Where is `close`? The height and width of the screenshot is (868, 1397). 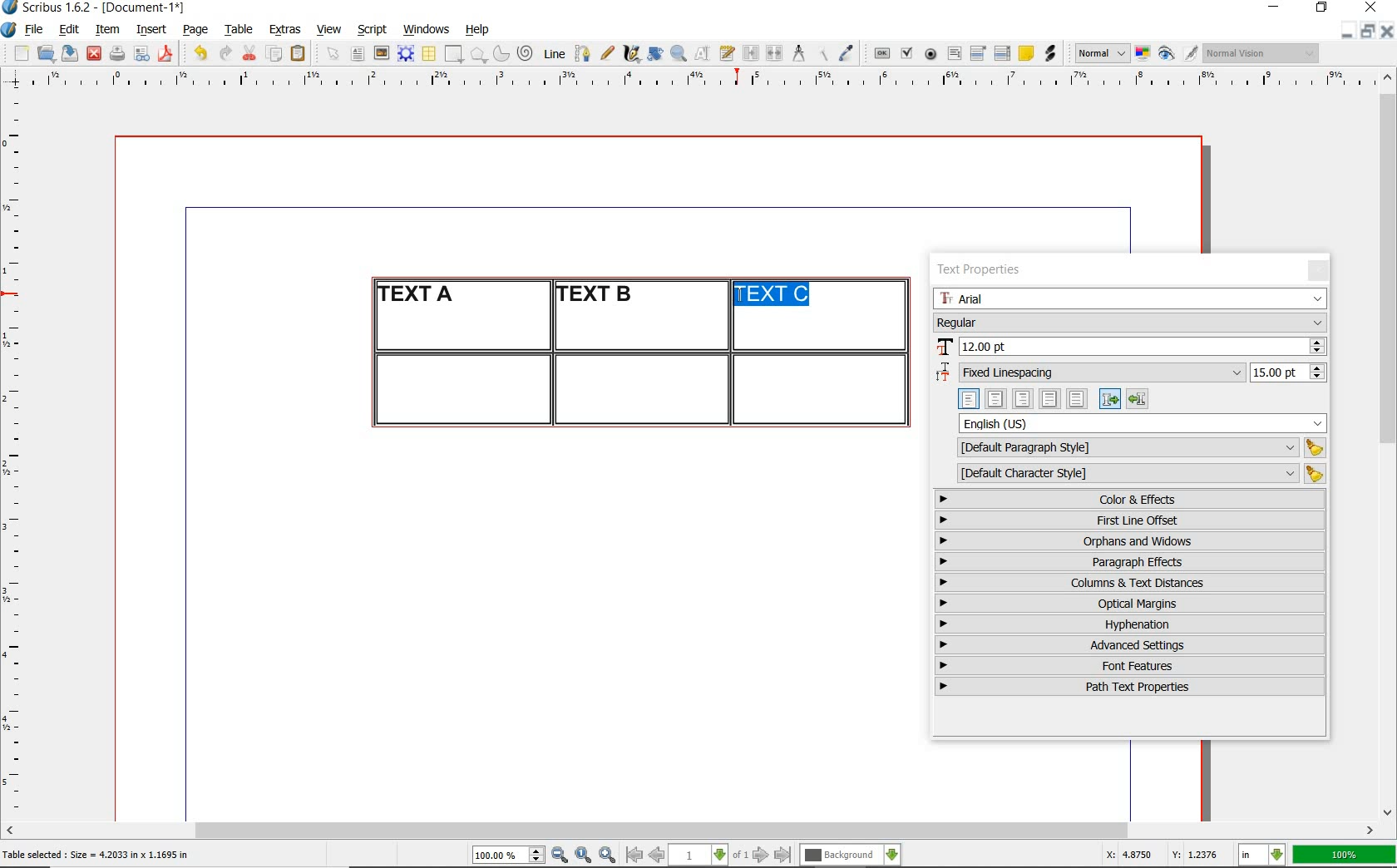
close is located at coordinates (1387, 31).